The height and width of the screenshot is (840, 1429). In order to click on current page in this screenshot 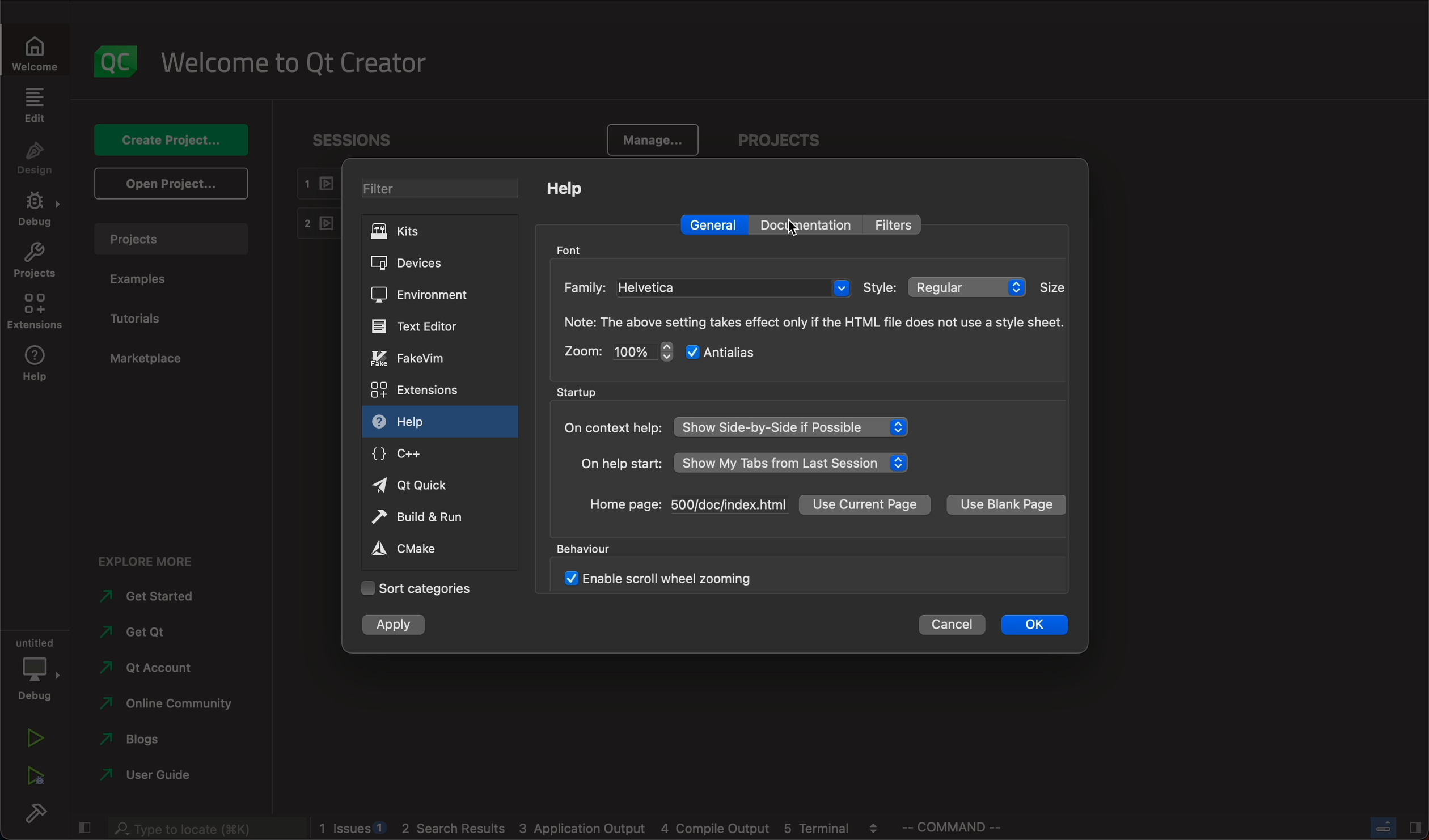, I will do `click(869, 504)`.